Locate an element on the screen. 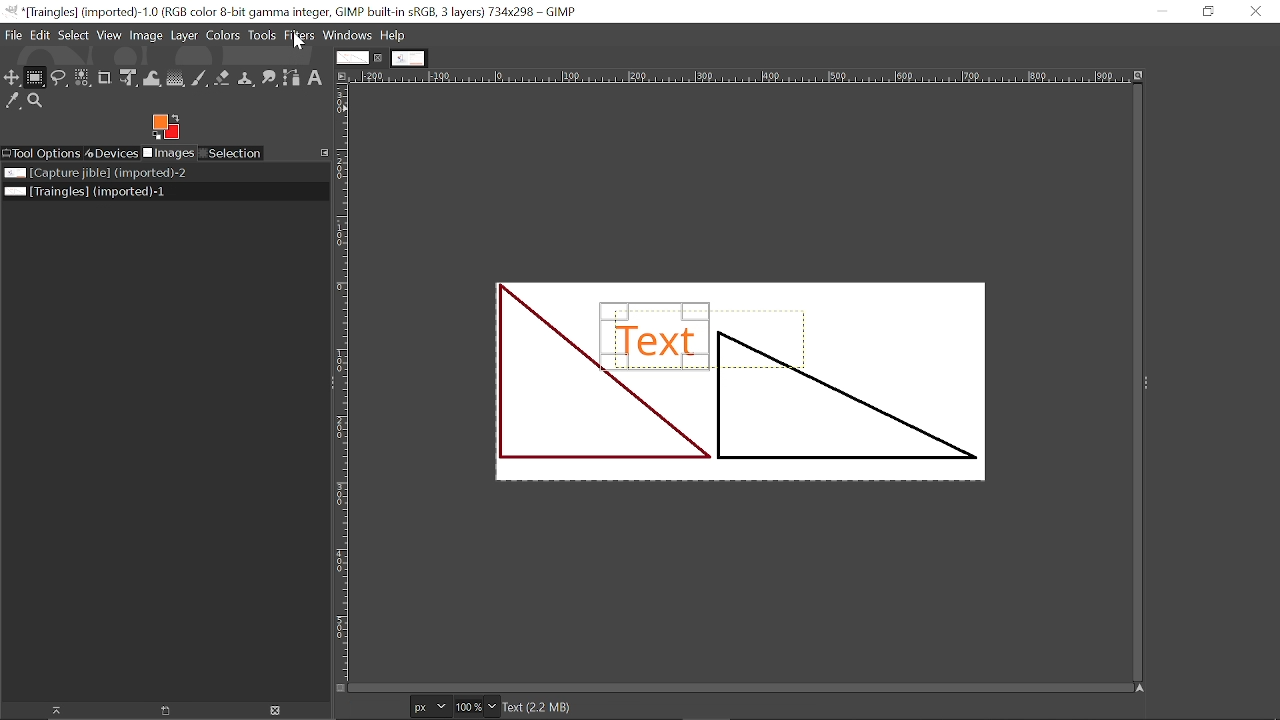  Current window is located at coordinates (294, 12).